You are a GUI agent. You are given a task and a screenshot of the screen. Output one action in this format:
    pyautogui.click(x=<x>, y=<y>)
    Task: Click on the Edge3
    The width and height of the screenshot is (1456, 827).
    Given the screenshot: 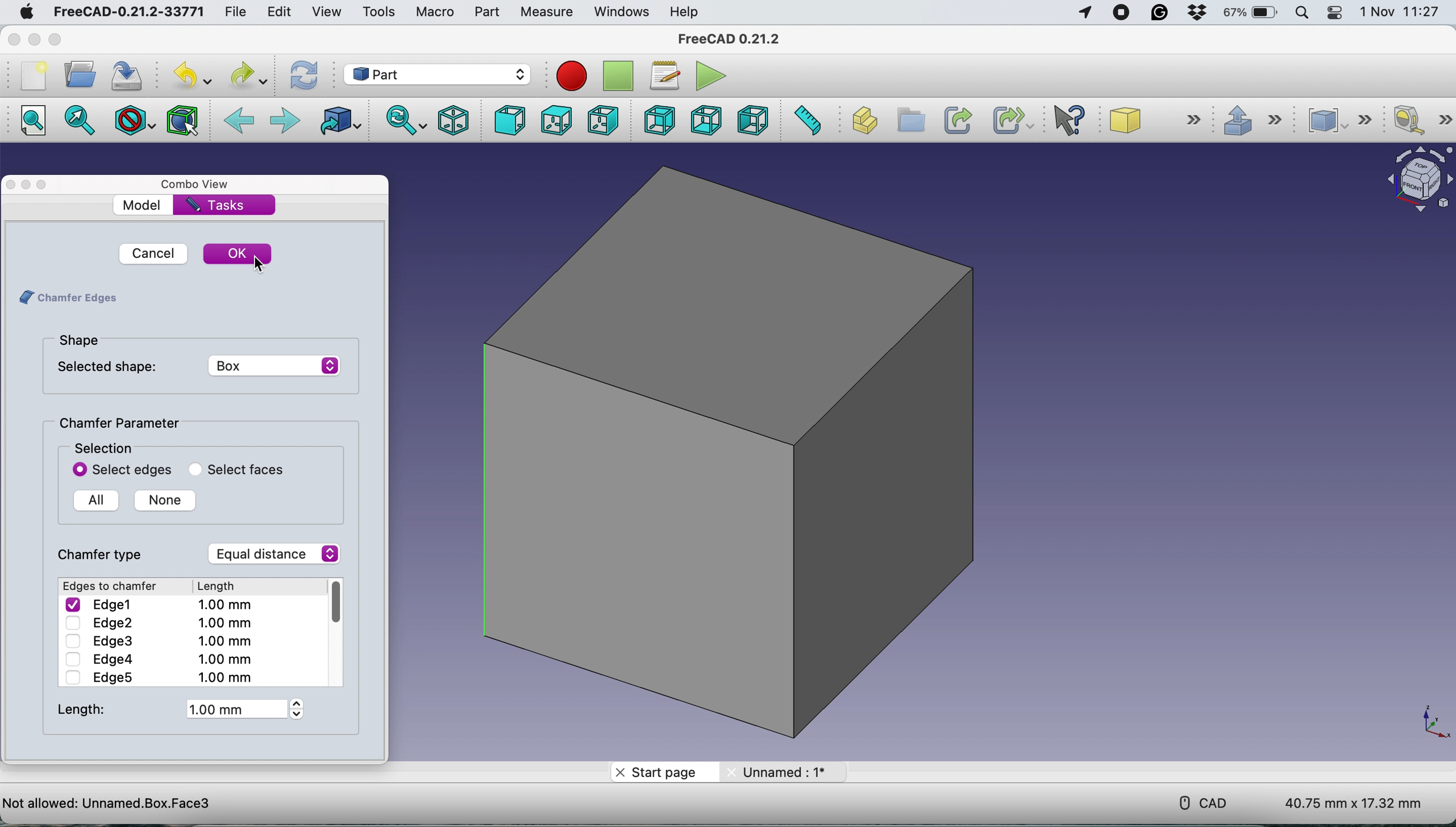 What is the action you would take?
    pyautogui.click(x=164, y=641)
    